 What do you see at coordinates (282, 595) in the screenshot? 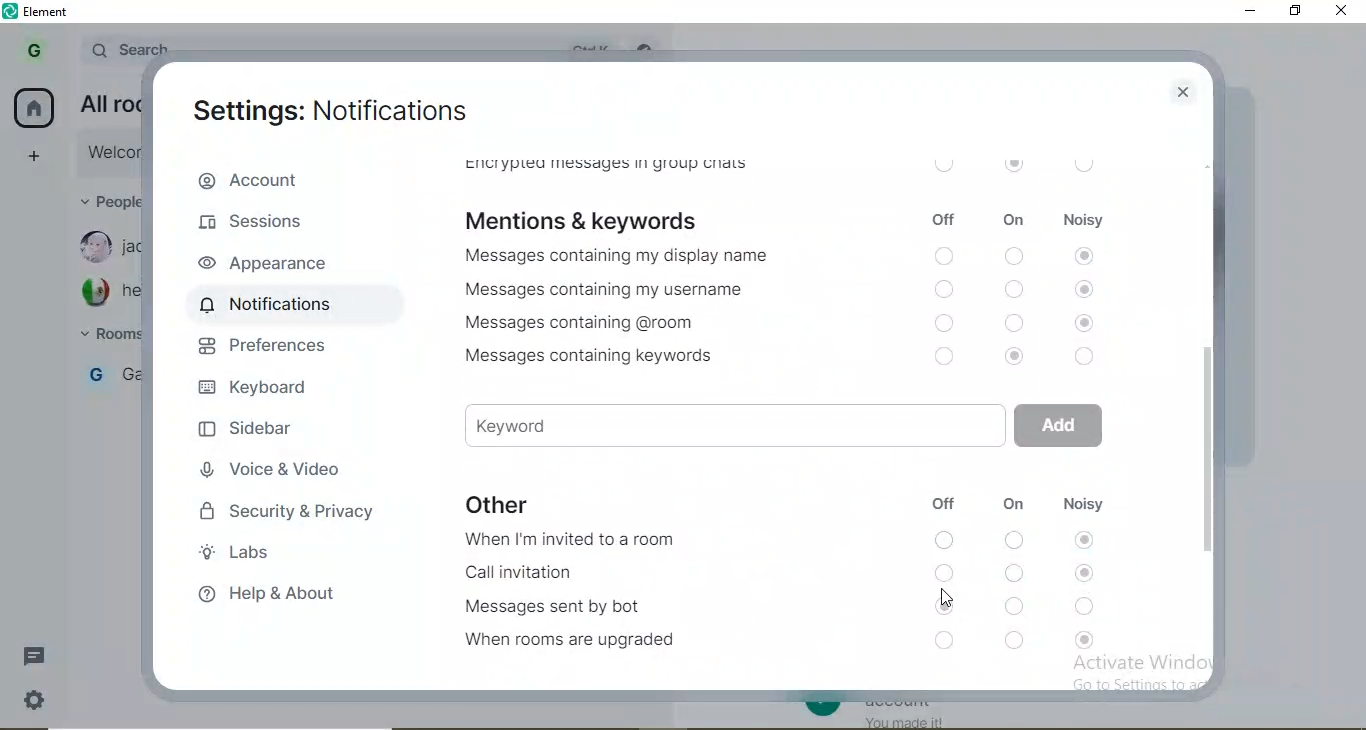
I see `help & about` at bounding box center [282, 595].